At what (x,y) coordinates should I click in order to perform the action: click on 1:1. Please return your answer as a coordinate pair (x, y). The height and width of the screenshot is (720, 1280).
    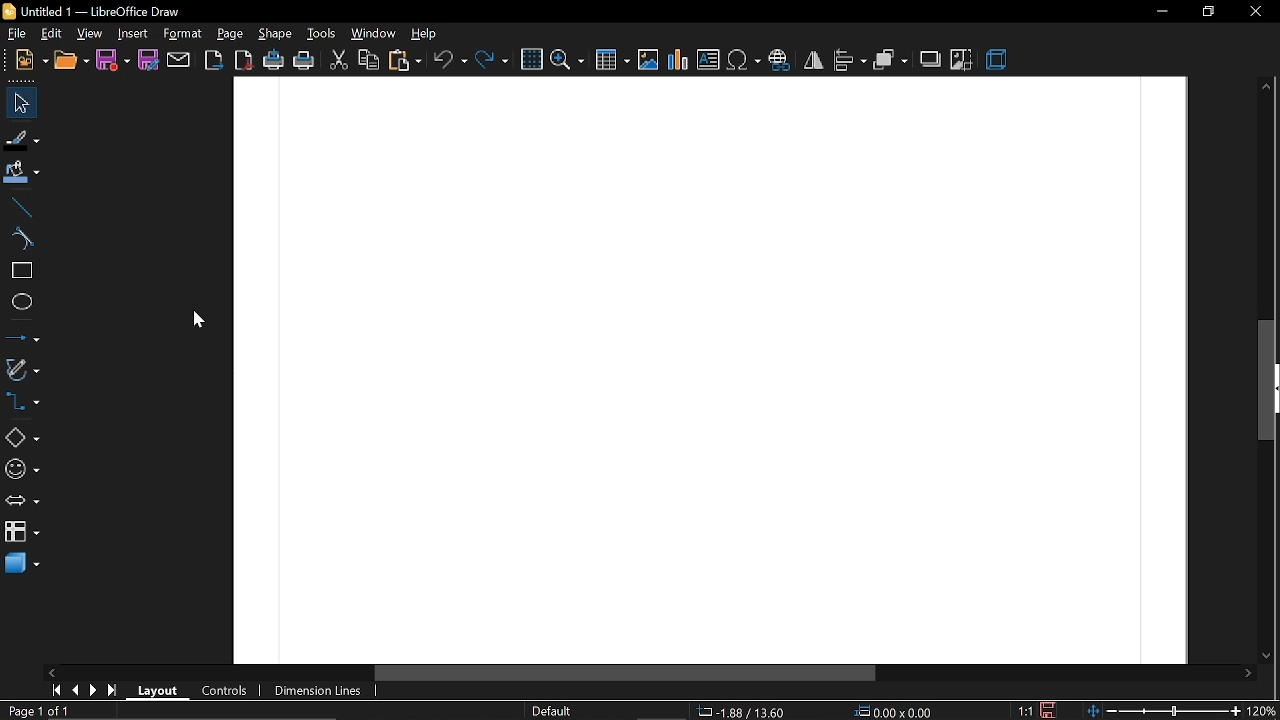
    Looking at the image, I should click on (1025, 710).